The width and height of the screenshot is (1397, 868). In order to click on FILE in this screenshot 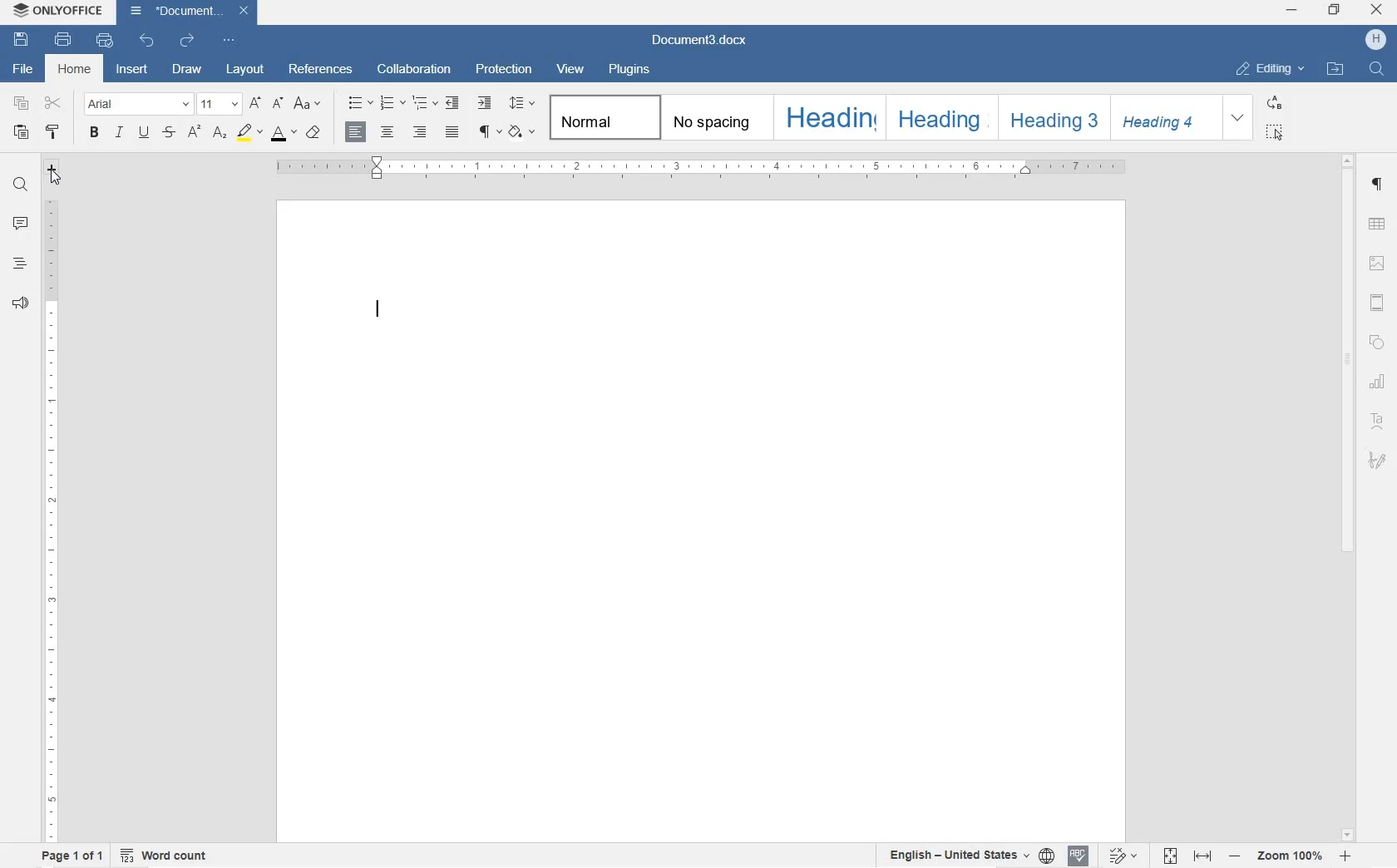, I will do `click(23, 68)`.